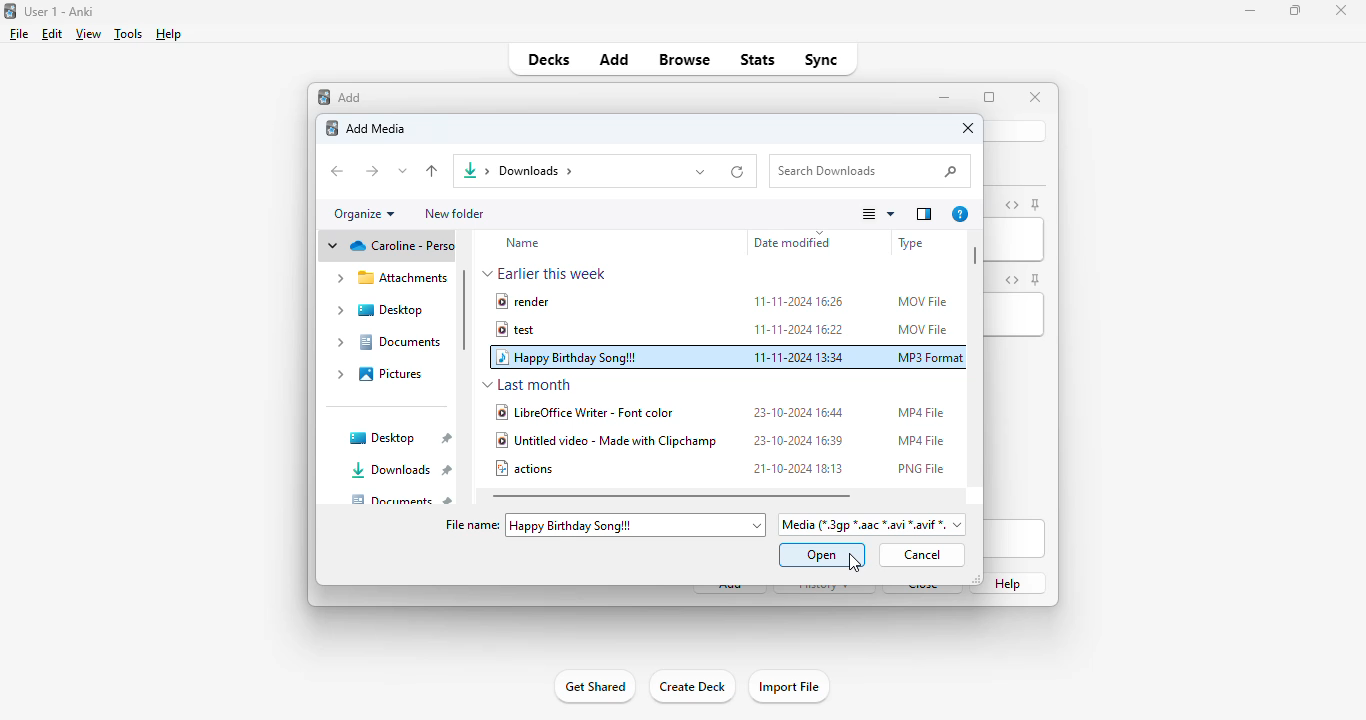 The height and width of the screenshot is (720, 1366). I want to click on desktop, so click(378, 311).